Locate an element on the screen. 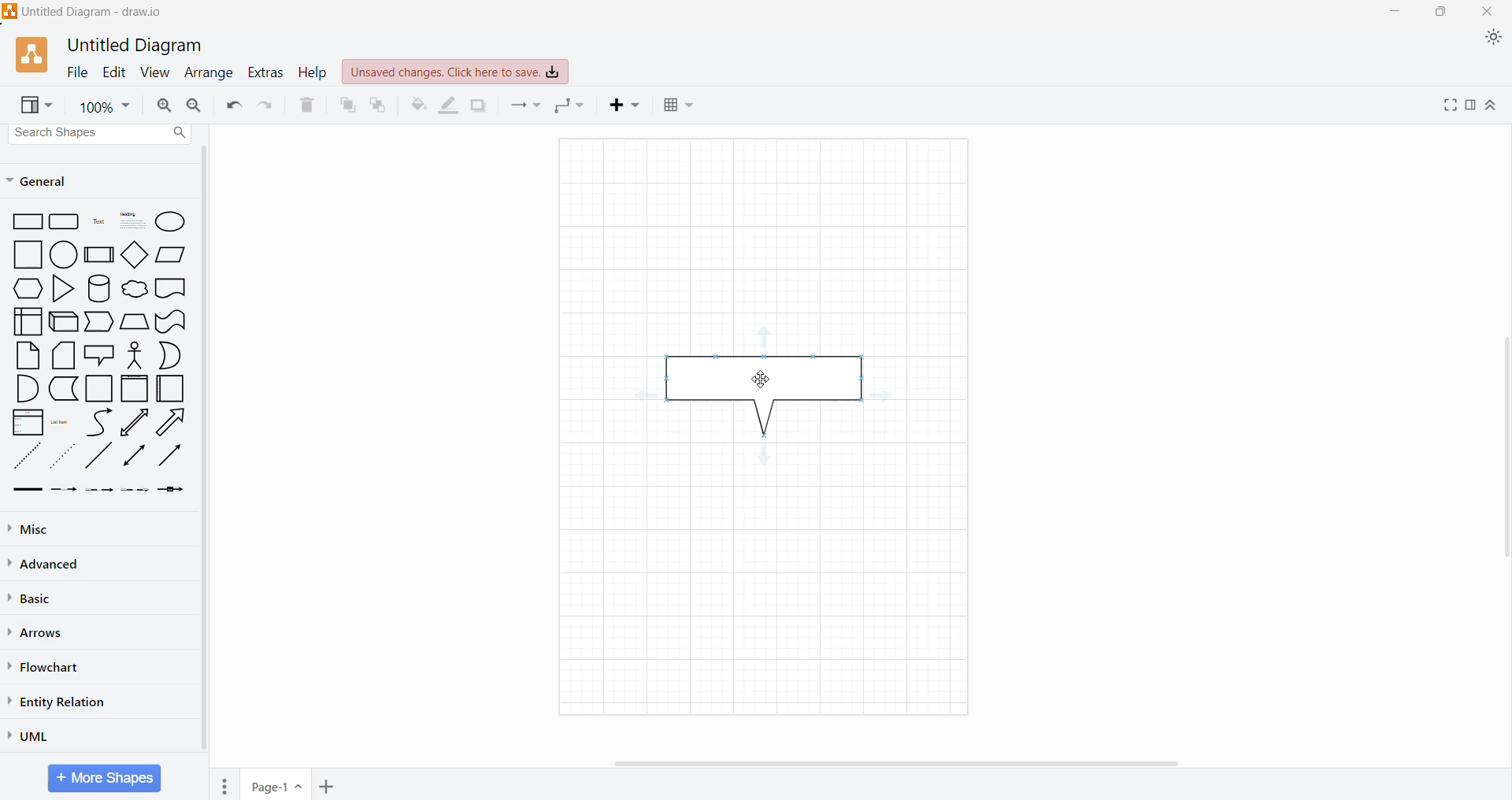 Image resolution: width=1512 pixels, height=800 pixels. Vertical Scroll Bar is located at coordinates (1502, 451).